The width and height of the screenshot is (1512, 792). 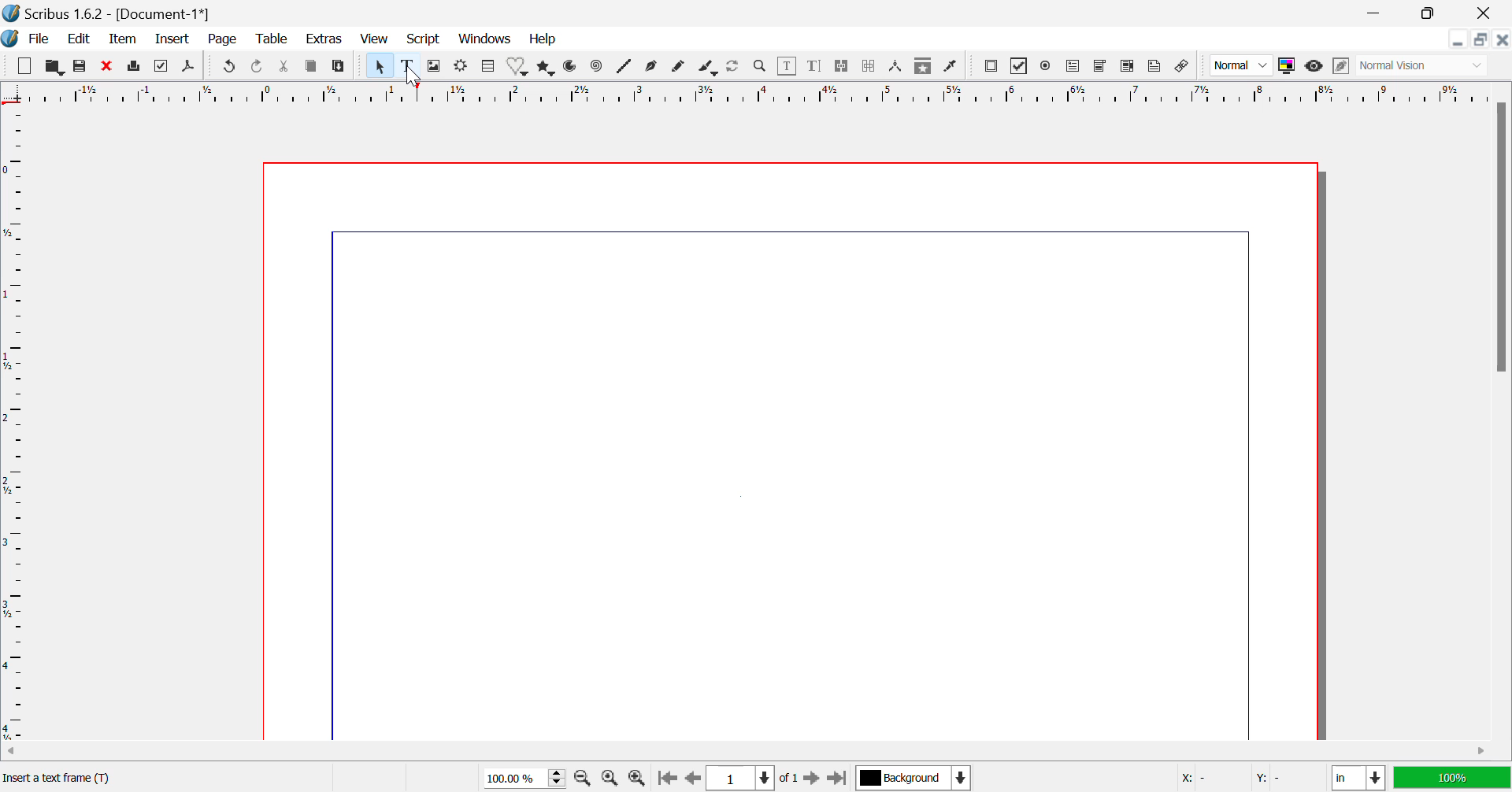 What do you see at coordinates (584, 779) in the screenshot?
I see `Zoom Out` at bounding box center [584, 779].